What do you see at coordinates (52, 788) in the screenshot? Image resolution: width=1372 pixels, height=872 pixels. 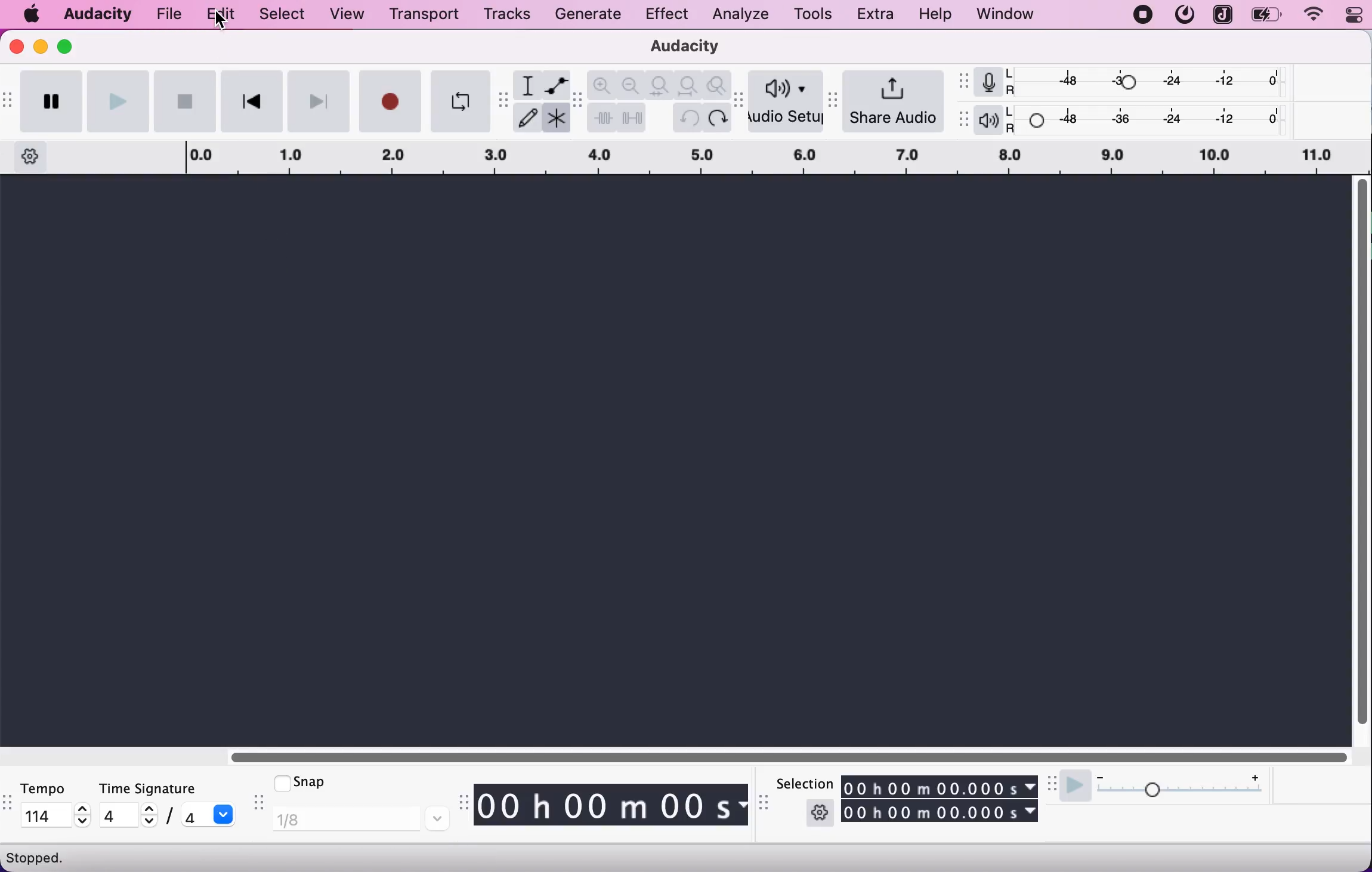 I see `tempo` at bounding box center [52, 788].